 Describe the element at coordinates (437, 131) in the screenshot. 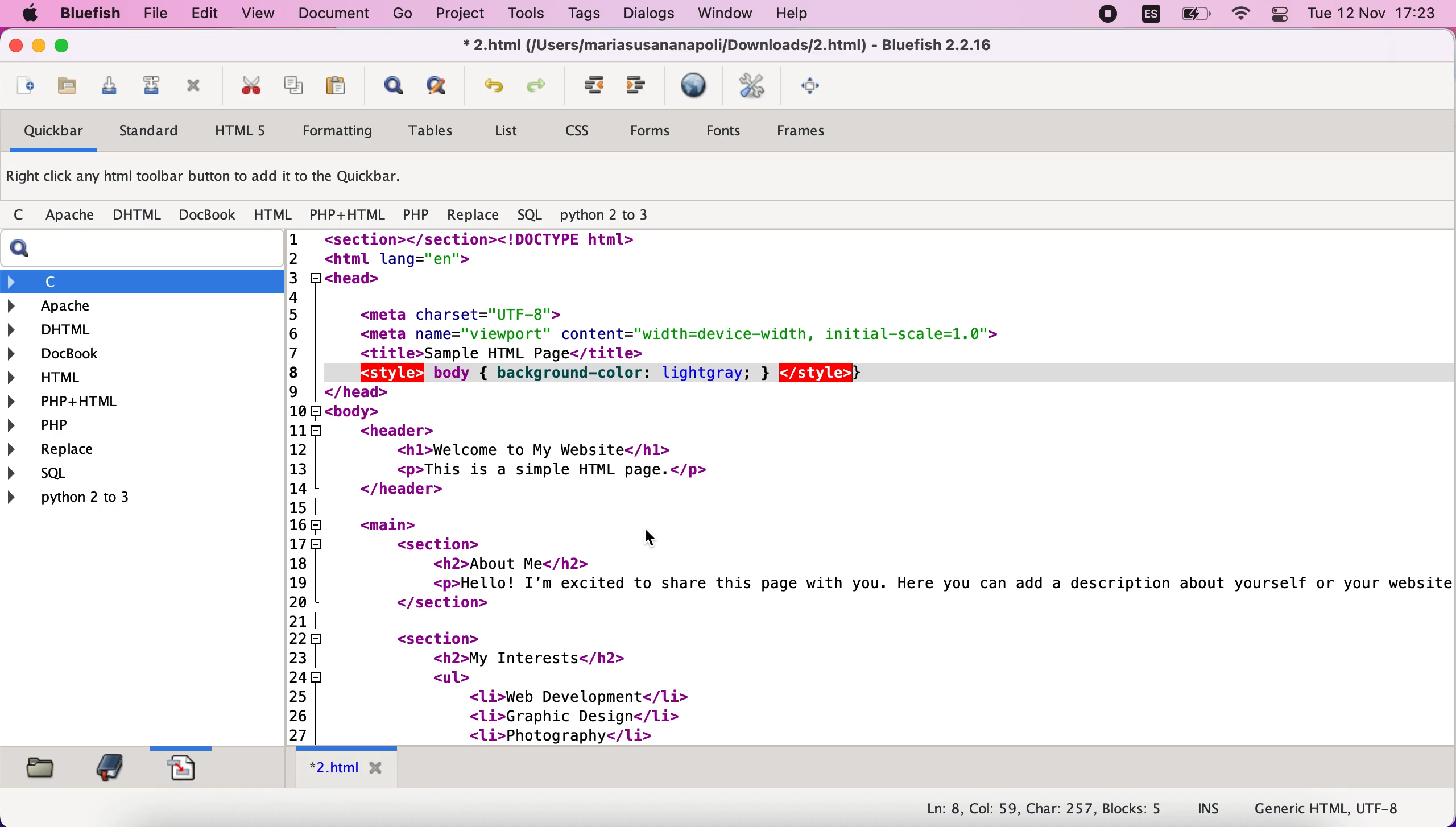

I see `tables` at that location.